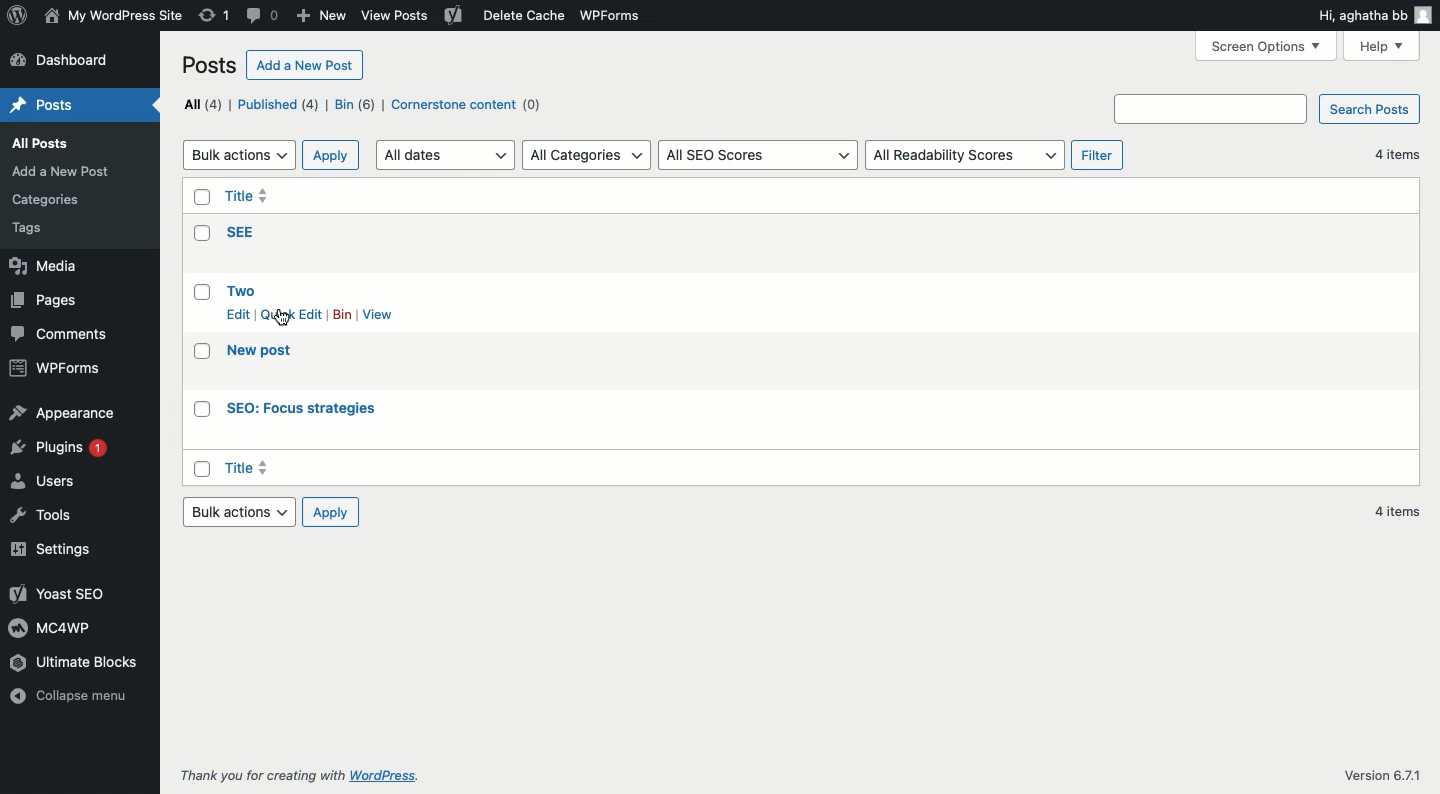 This screenshot has height=794, width=1440. What do you see at coordinates (588, 154) in the screenshot?
I see `All categories` at bounding box center [588, 154].